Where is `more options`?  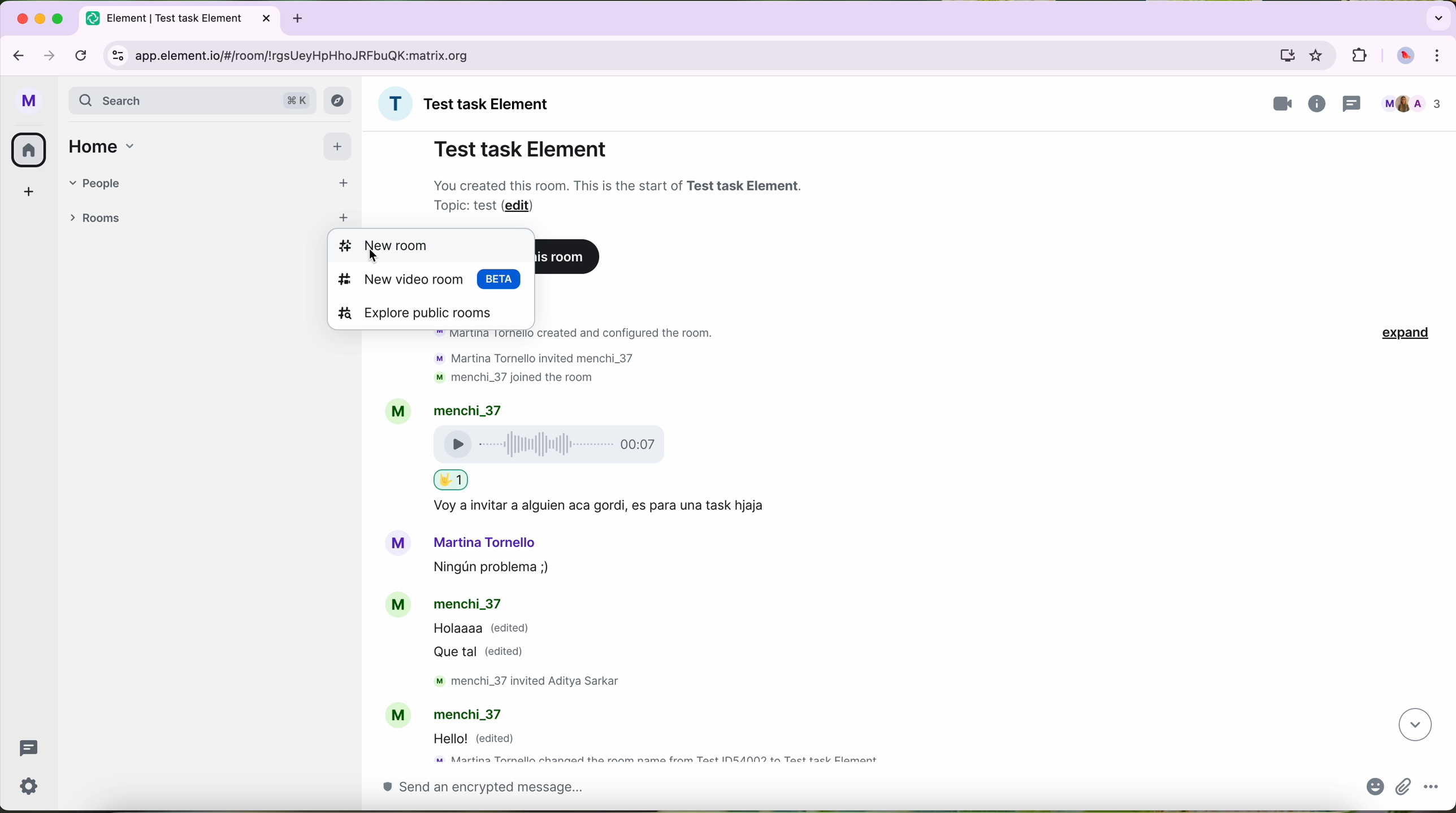
more options is located at coordinates (1432, 789).